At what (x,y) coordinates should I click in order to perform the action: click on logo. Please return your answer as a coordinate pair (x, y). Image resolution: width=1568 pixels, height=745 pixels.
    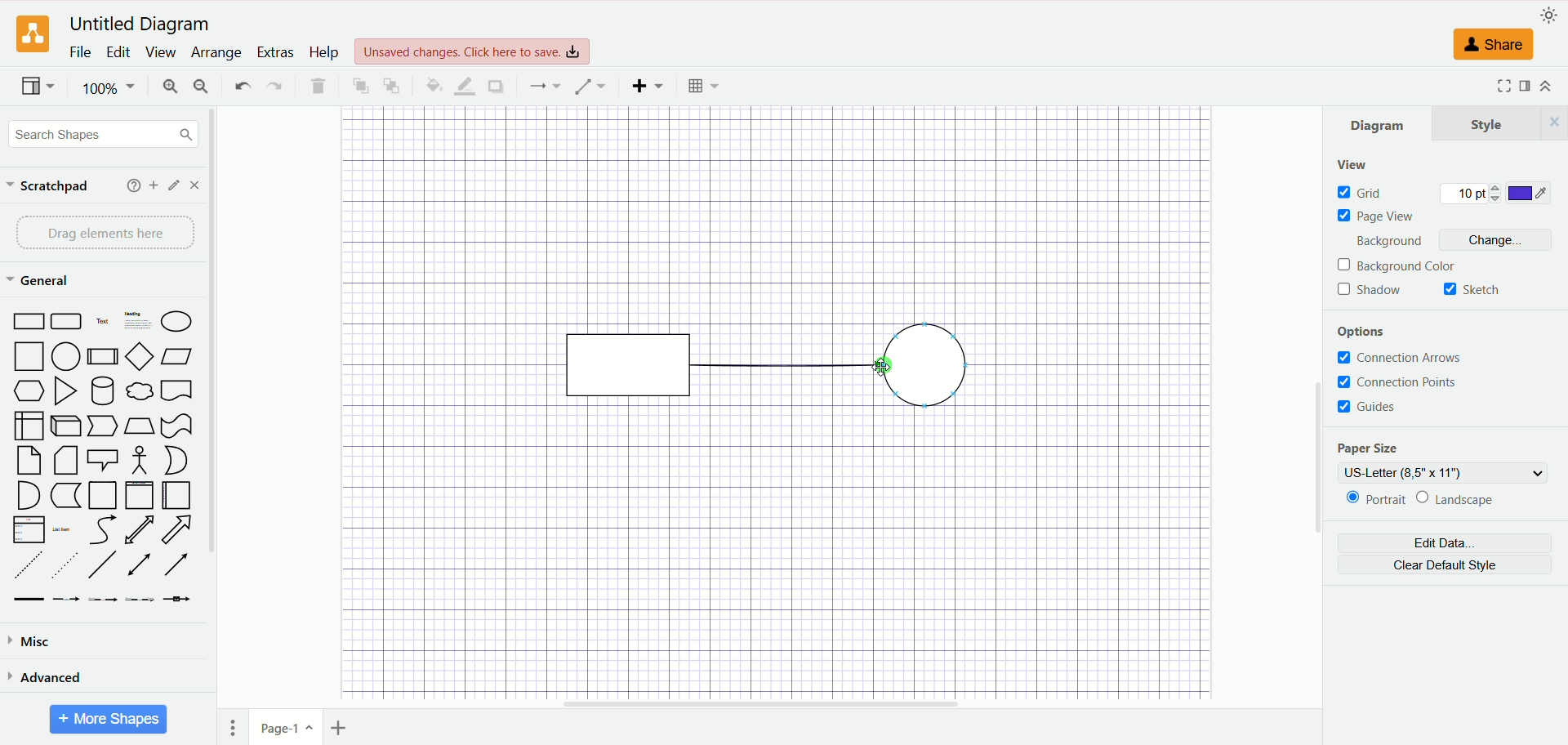
    Looking at the image, I should click on (31, 34).